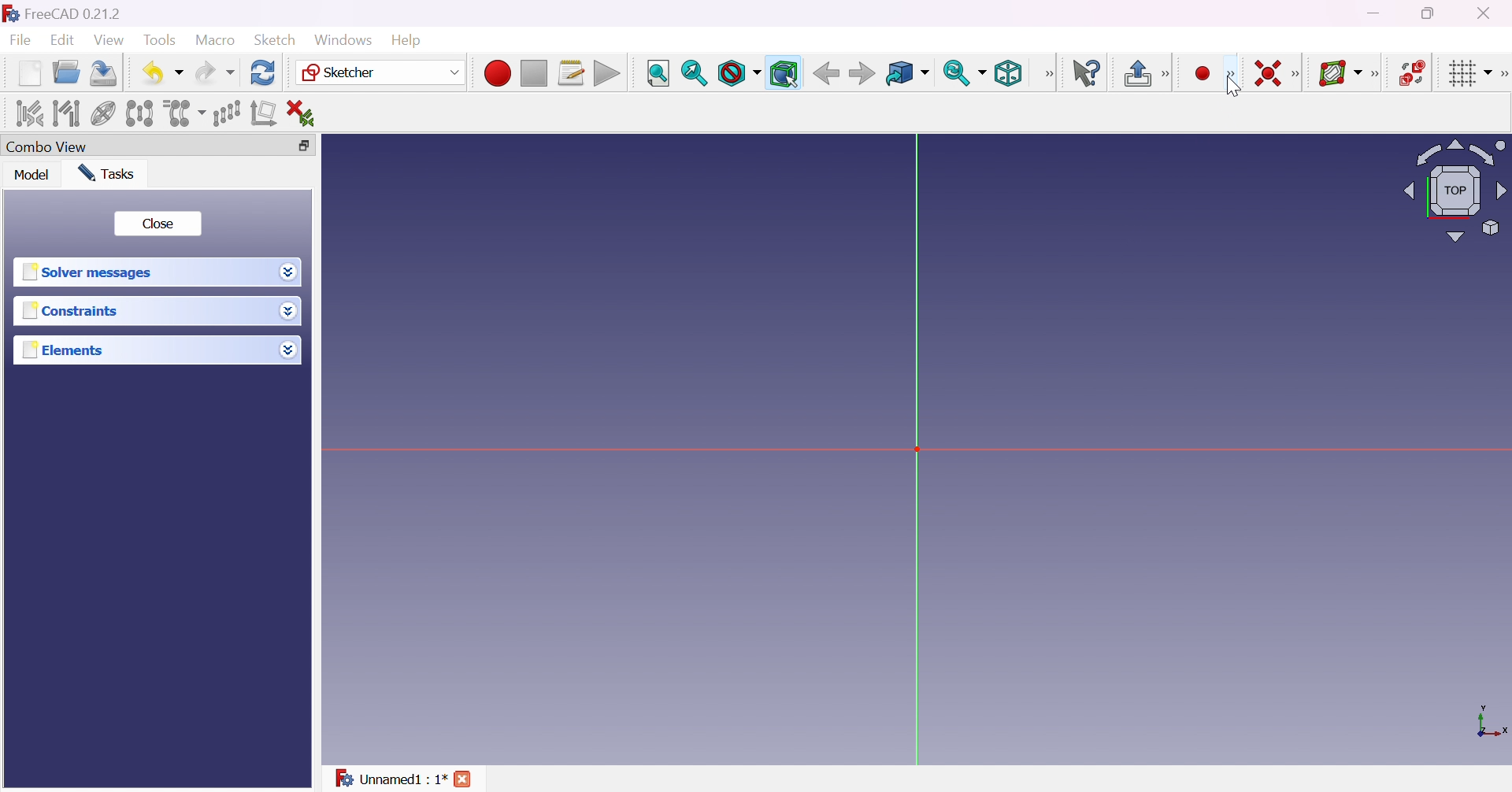 Image resolution: width=1512 pixels, height=792 pixels. What do you see at coordinates (826, 72) in the screenshot?
I see `Back` at bounding box center [826, 72].